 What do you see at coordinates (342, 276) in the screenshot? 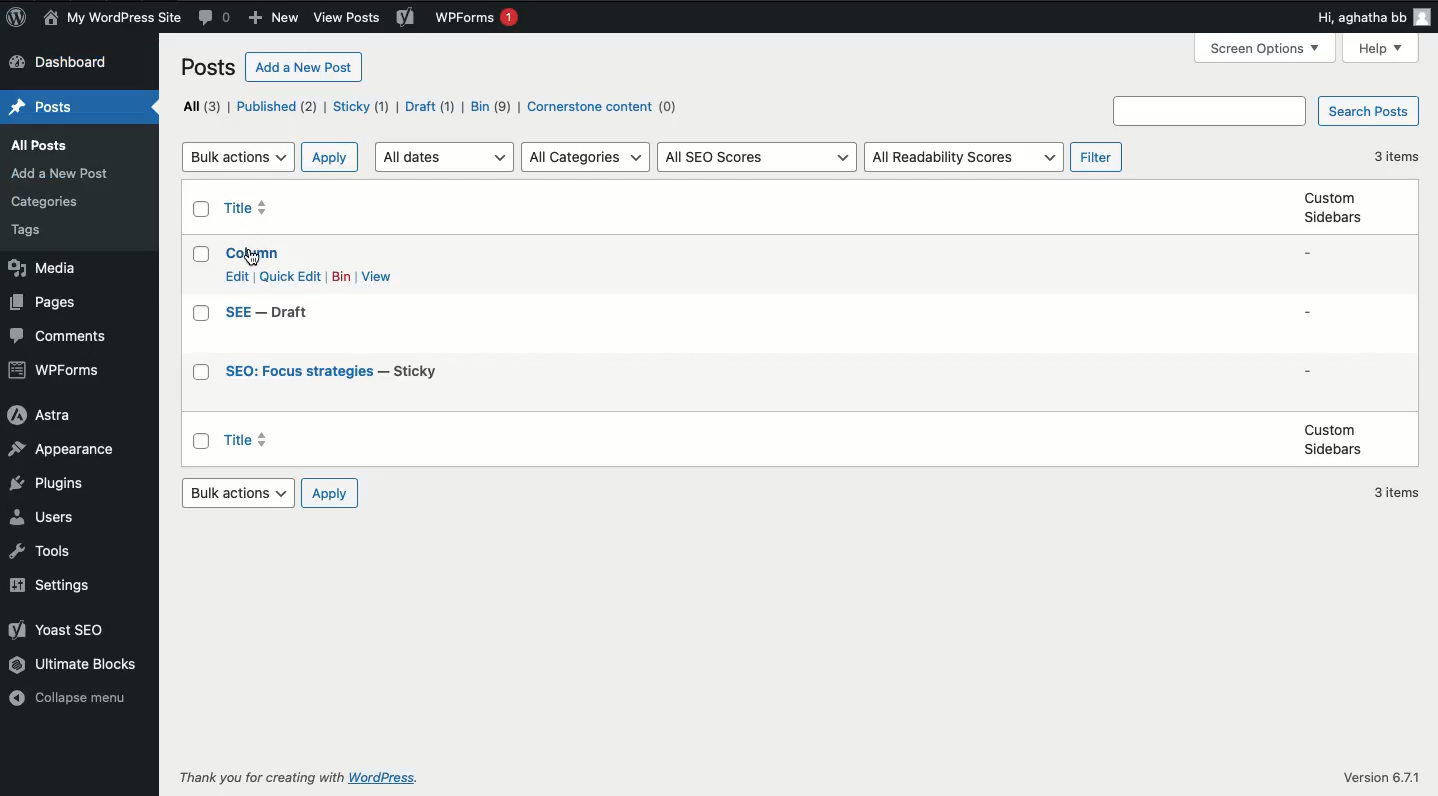
I see `Bin` at bounding box center [342, 276].